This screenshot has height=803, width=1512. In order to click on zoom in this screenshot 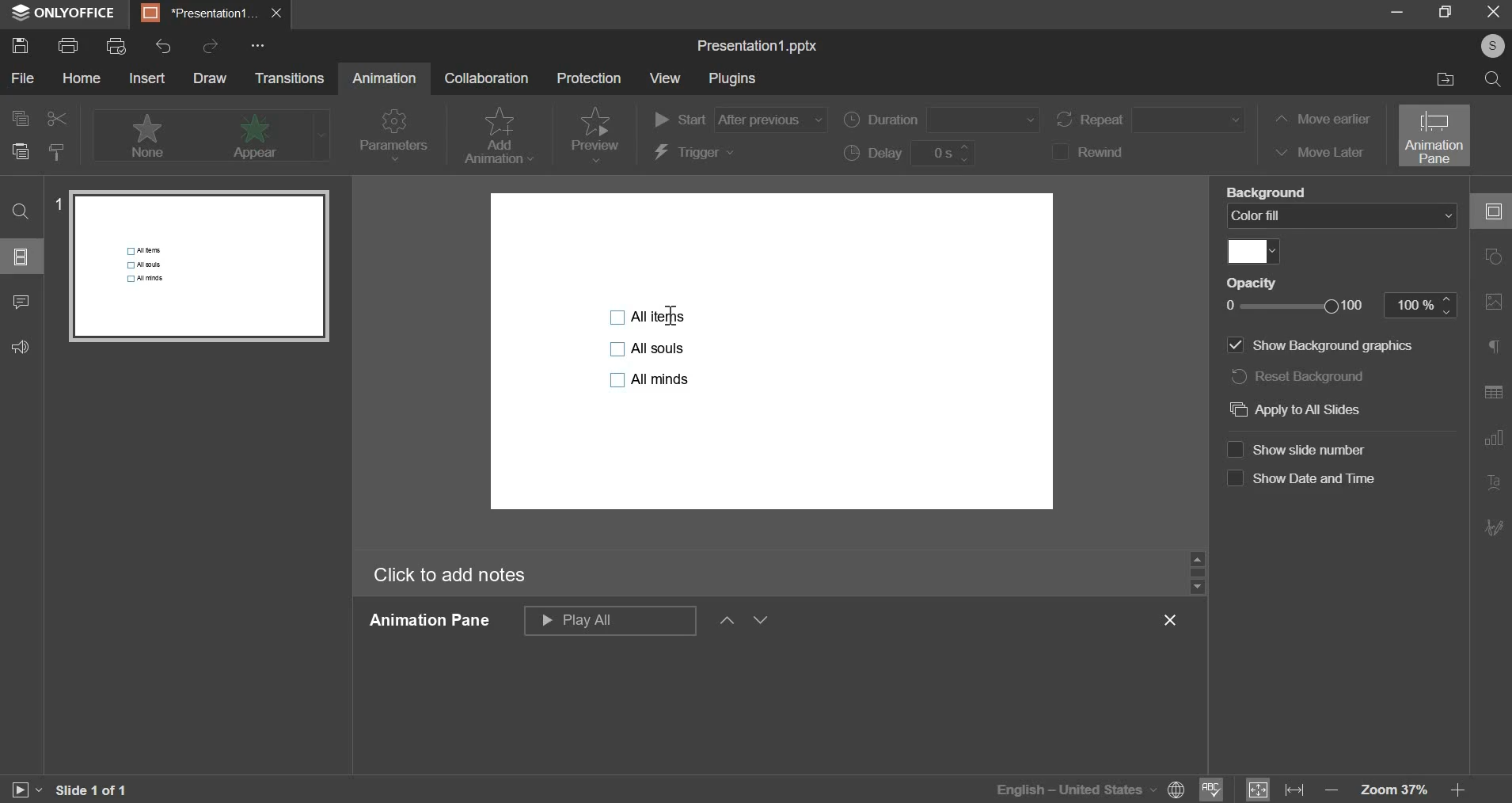, I will do `click(1406, 790)`.